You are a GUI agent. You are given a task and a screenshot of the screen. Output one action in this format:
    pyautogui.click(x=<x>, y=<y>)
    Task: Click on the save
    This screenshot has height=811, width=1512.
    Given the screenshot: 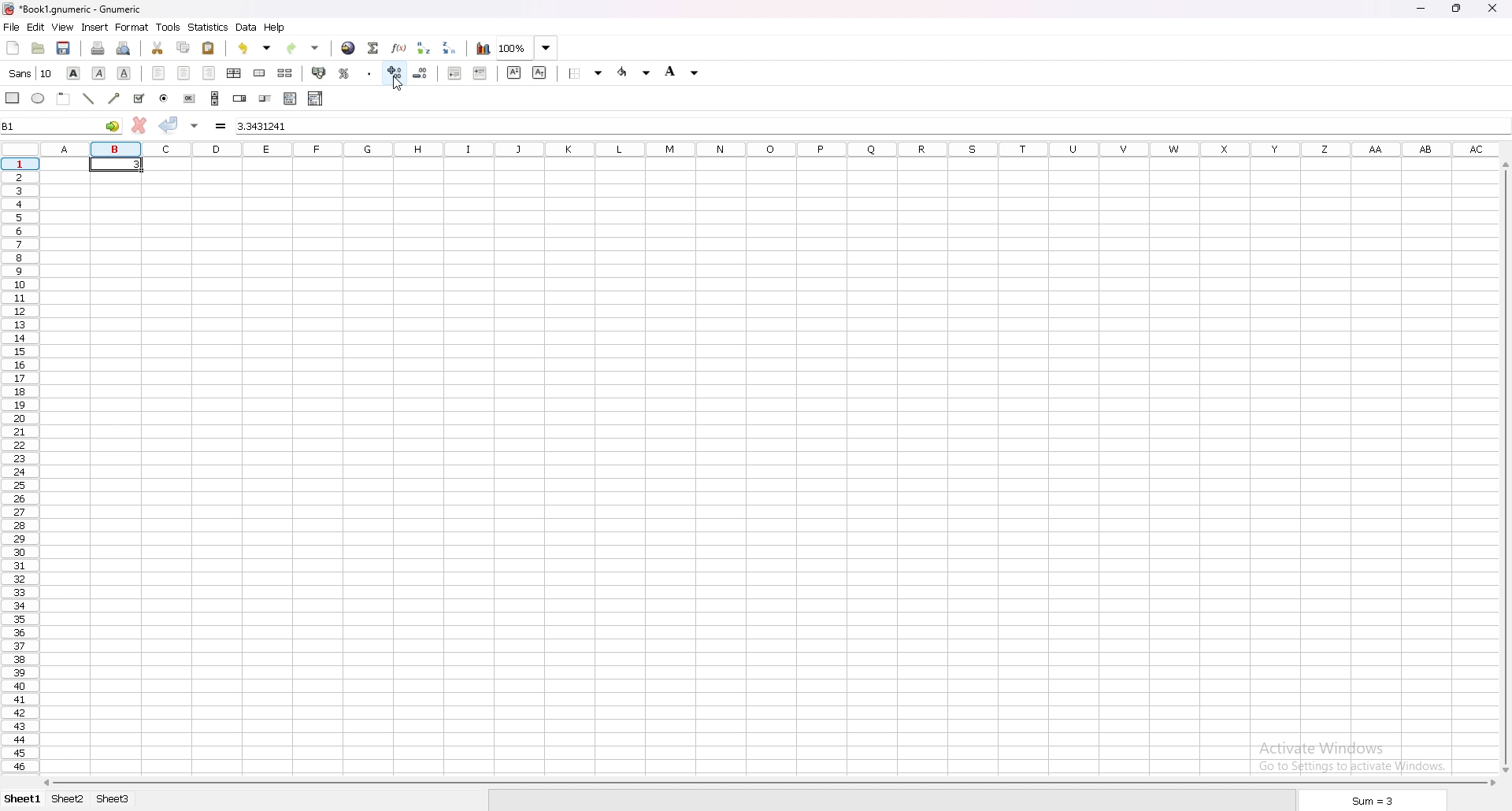 What is the action you would take?
    pyautogui.click(x=64, y=47)
    